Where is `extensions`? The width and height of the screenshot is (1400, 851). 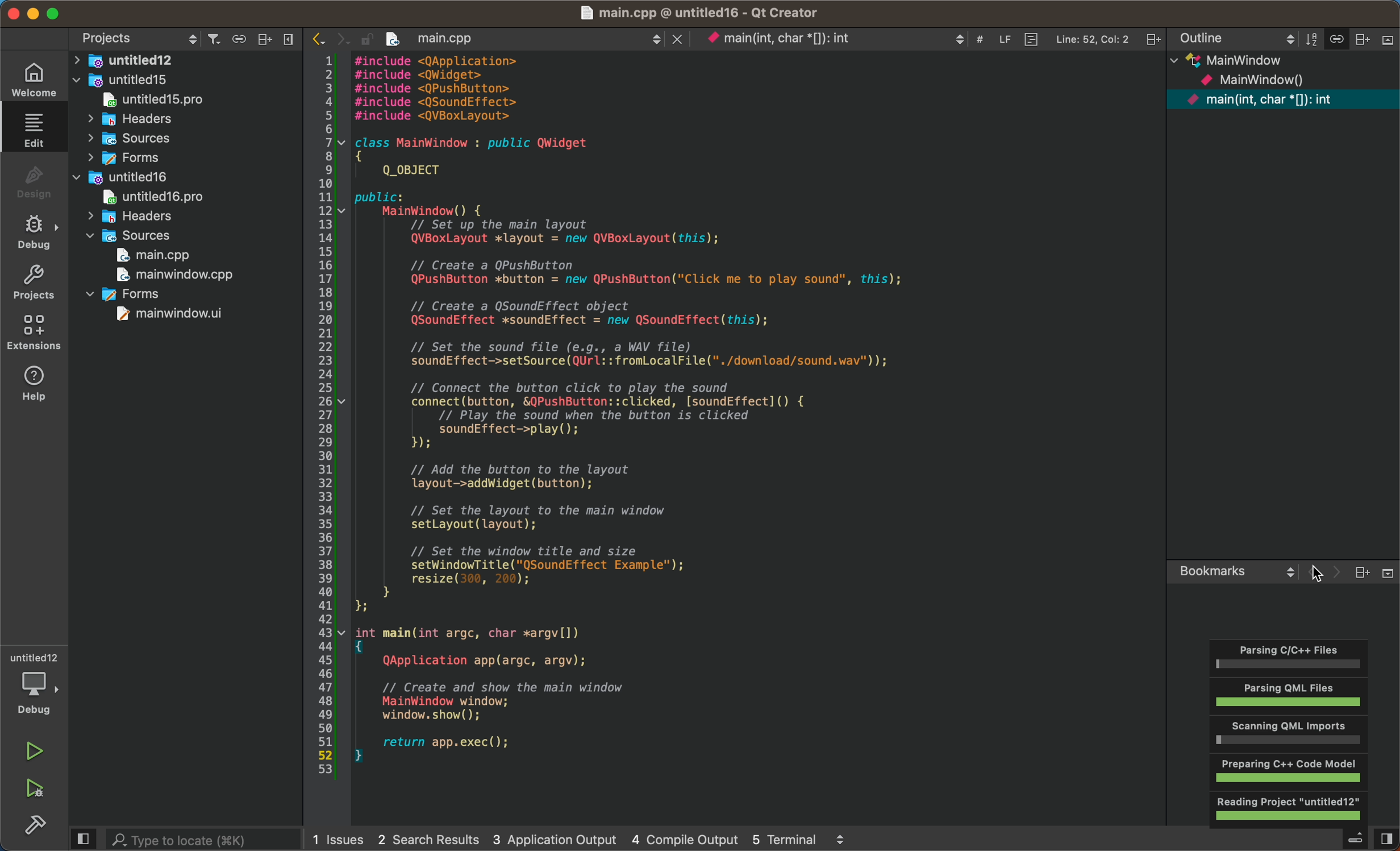 extensions is located at coordinates (37, 331).